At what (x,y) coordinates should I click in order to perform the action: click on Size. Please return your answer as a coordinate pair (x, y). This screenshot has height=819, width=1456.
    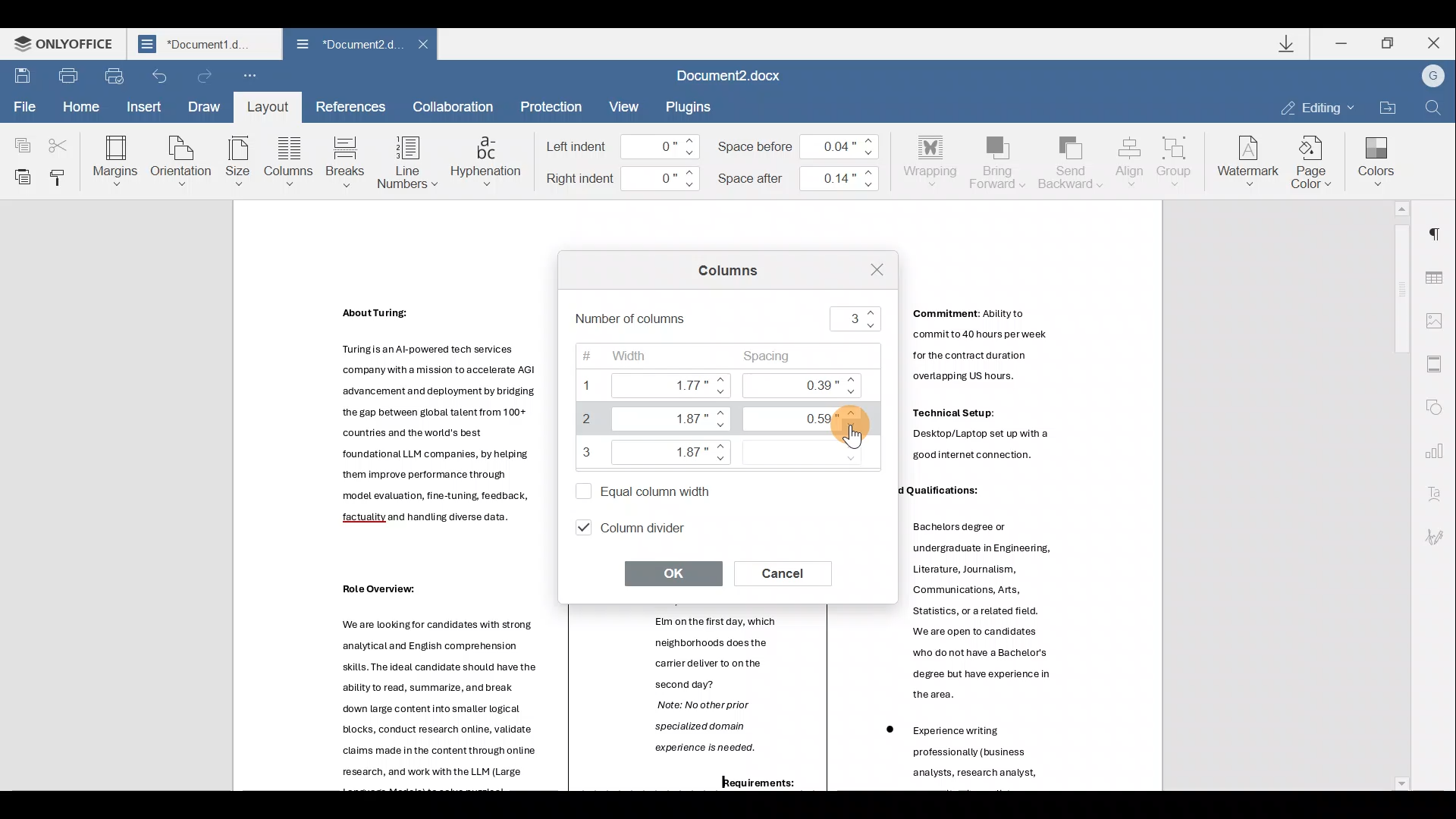
    Looking at the image, I should click on (238, 162).